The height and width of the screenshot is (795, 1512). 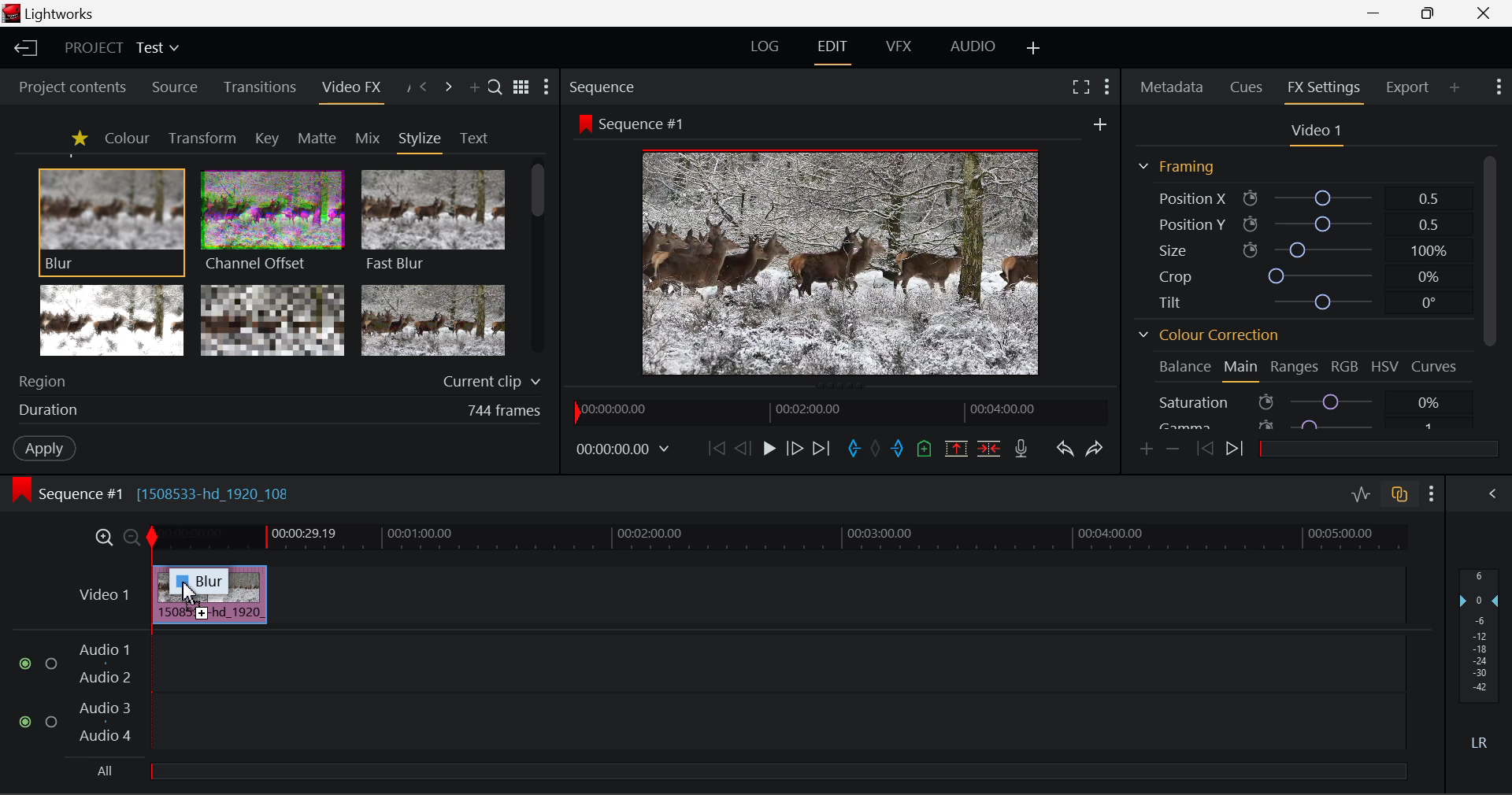 I want to click on Size, so click(x=1299, y=248).